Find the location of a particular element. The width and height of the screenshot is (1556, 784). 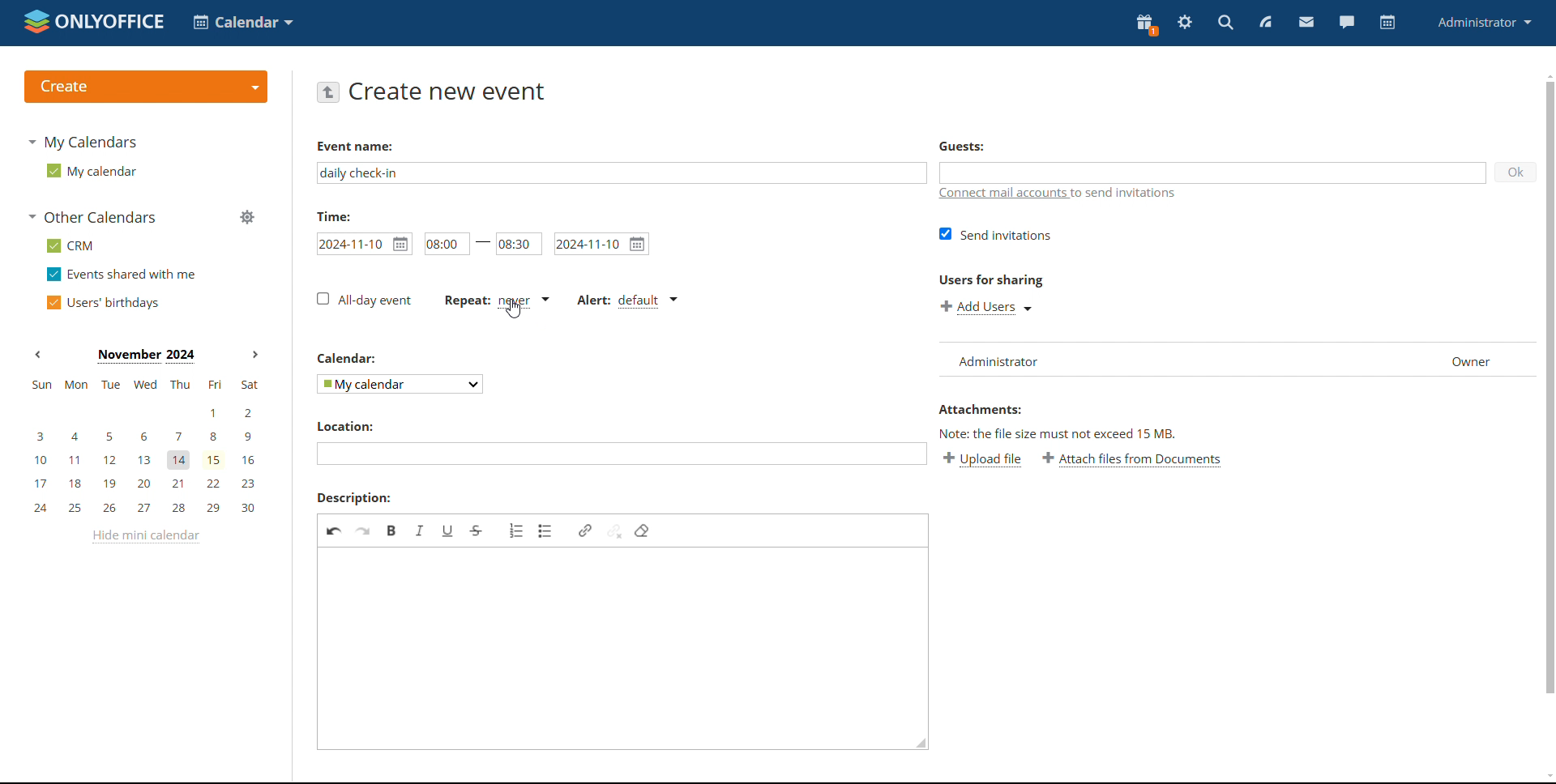

- is located at coordinates (483, 245).